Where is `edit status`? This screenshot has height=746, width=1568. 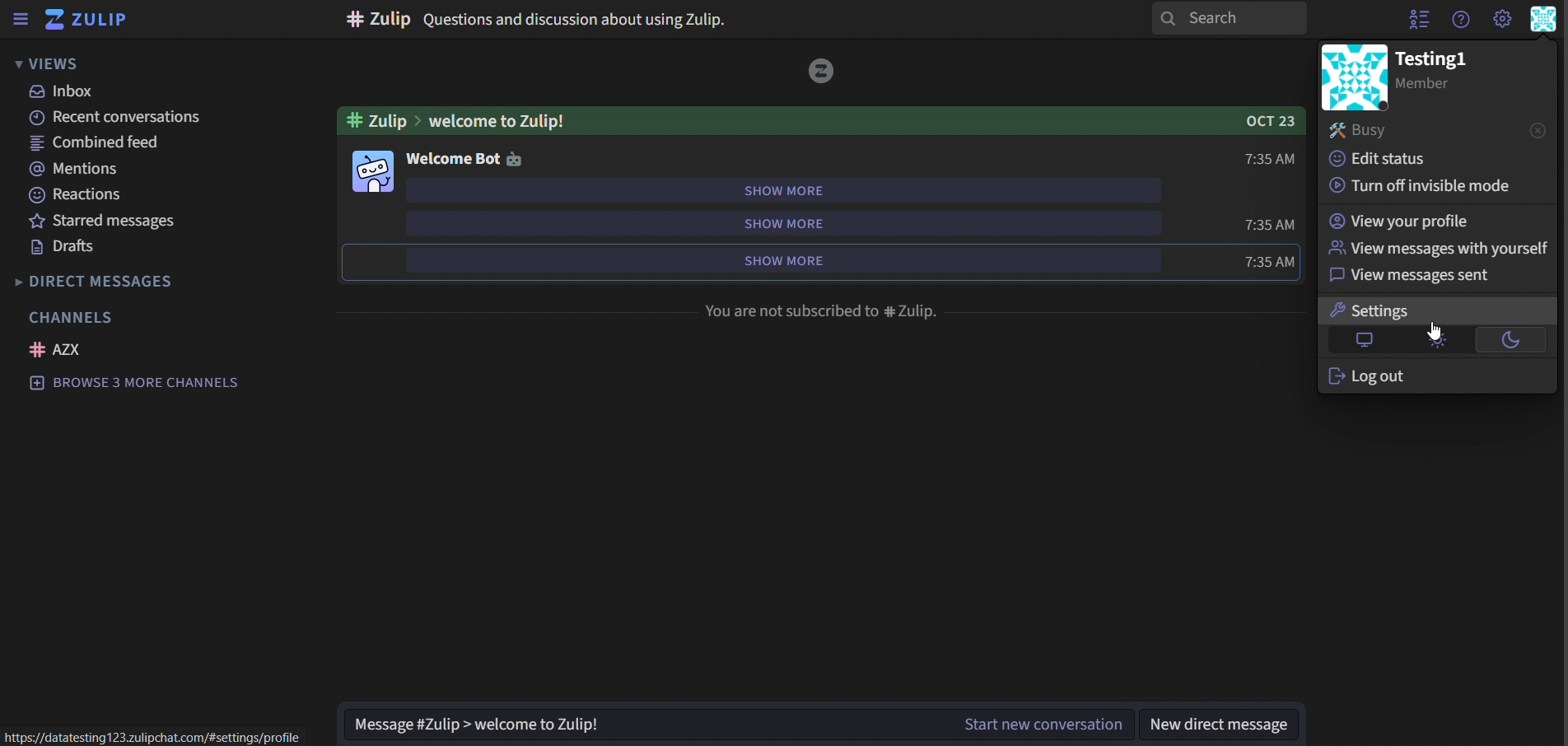 edit status is located at coordinates (1384, 157).